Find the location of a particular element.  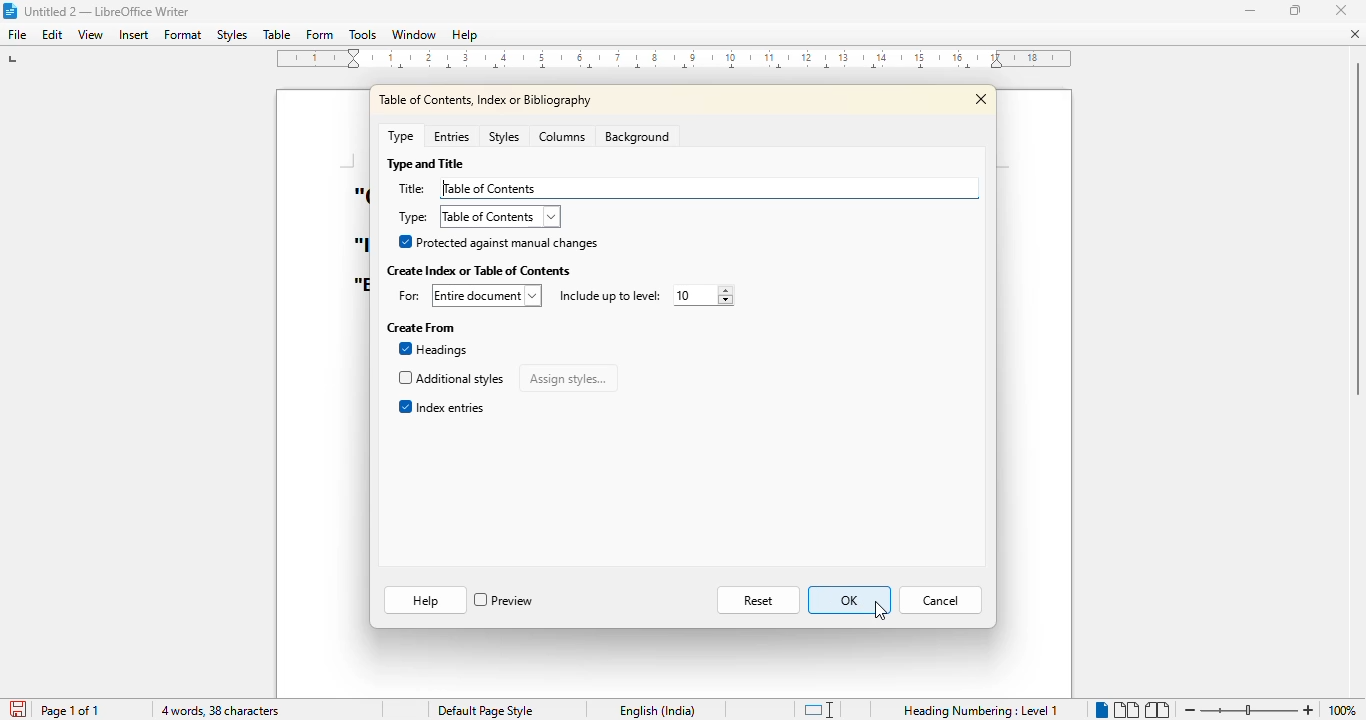

index entries is located at coordinates (441, 406).